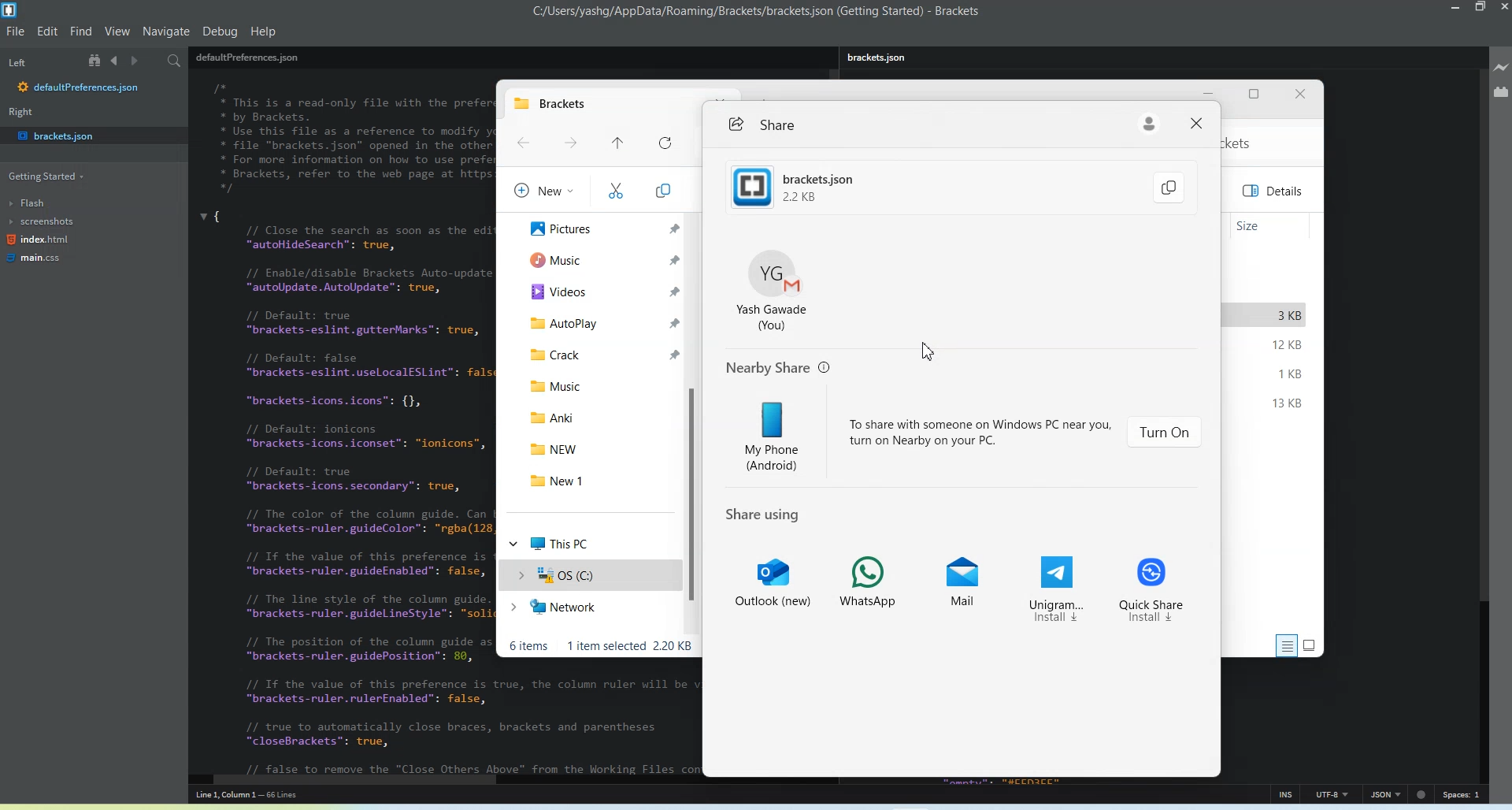  Describe the element at coordinates (1385, 793) in the screenshot. I see `JSON` at that location.